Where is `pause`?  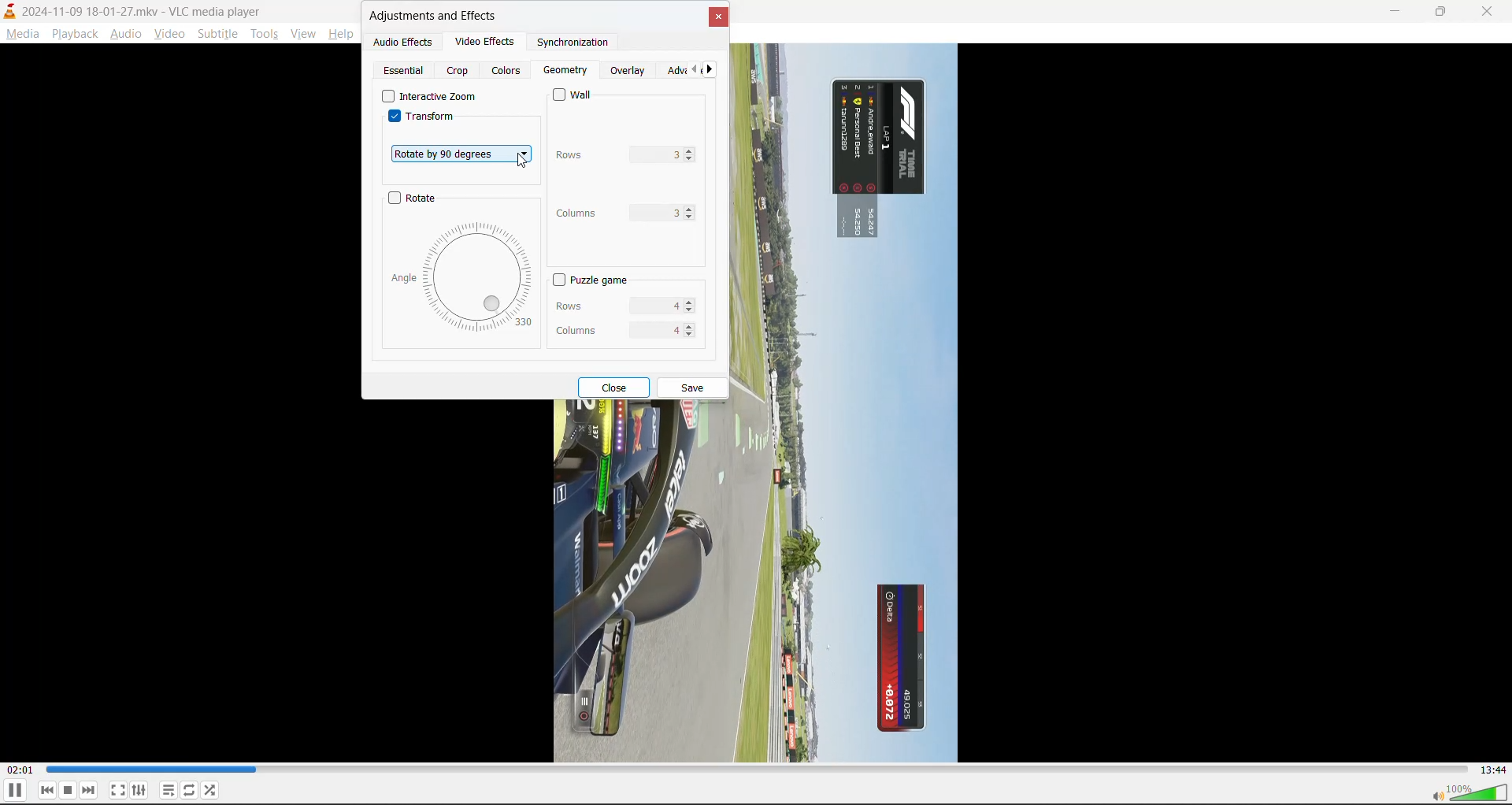
pause is located at coordinates (14, 792).